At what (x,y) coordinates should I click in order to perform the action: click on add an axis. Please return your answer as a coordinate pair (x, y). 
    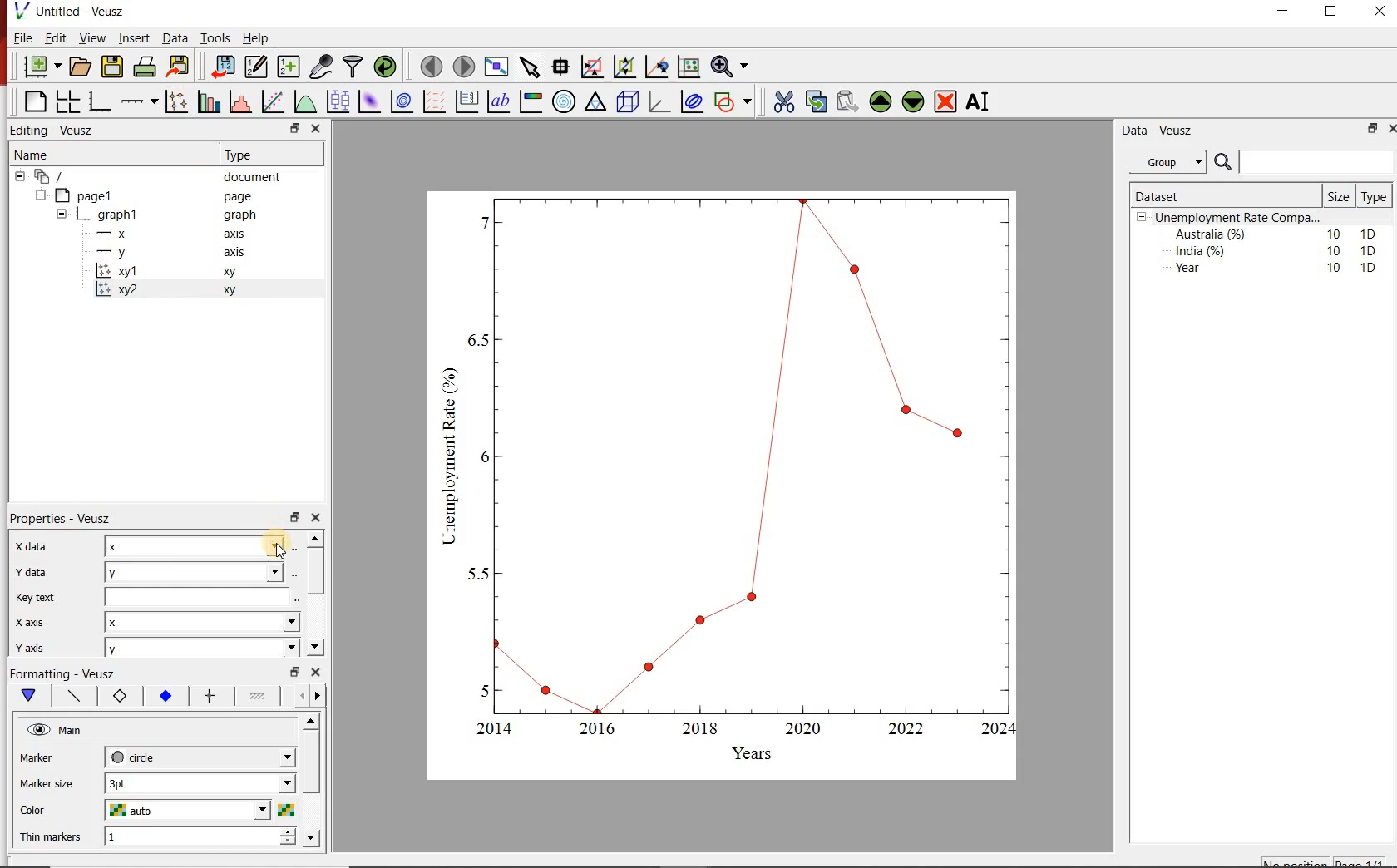
    Looking at the image, I should click on (138, 101).